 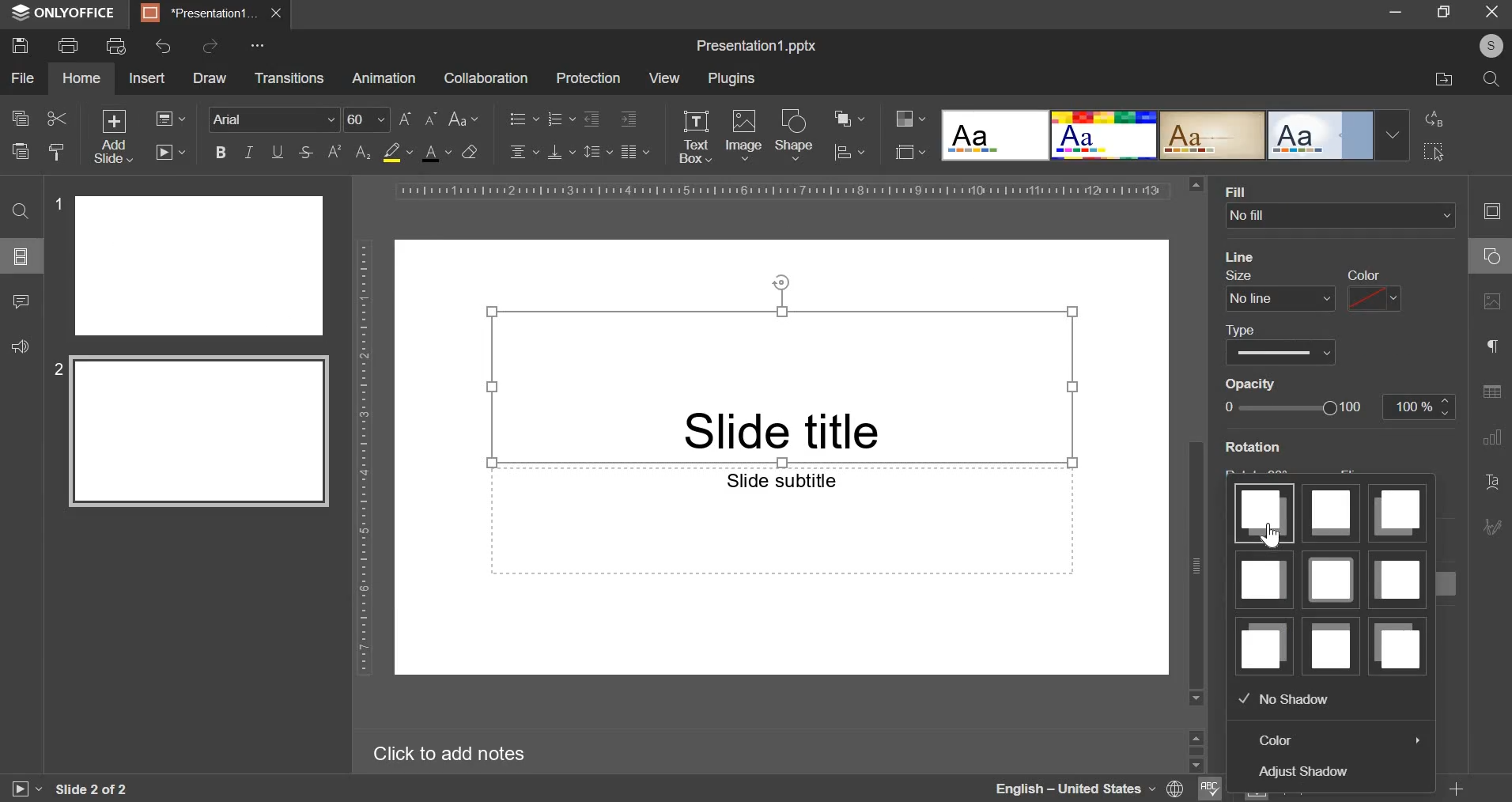 I want to click on slide size, so click(x=910, y=150).